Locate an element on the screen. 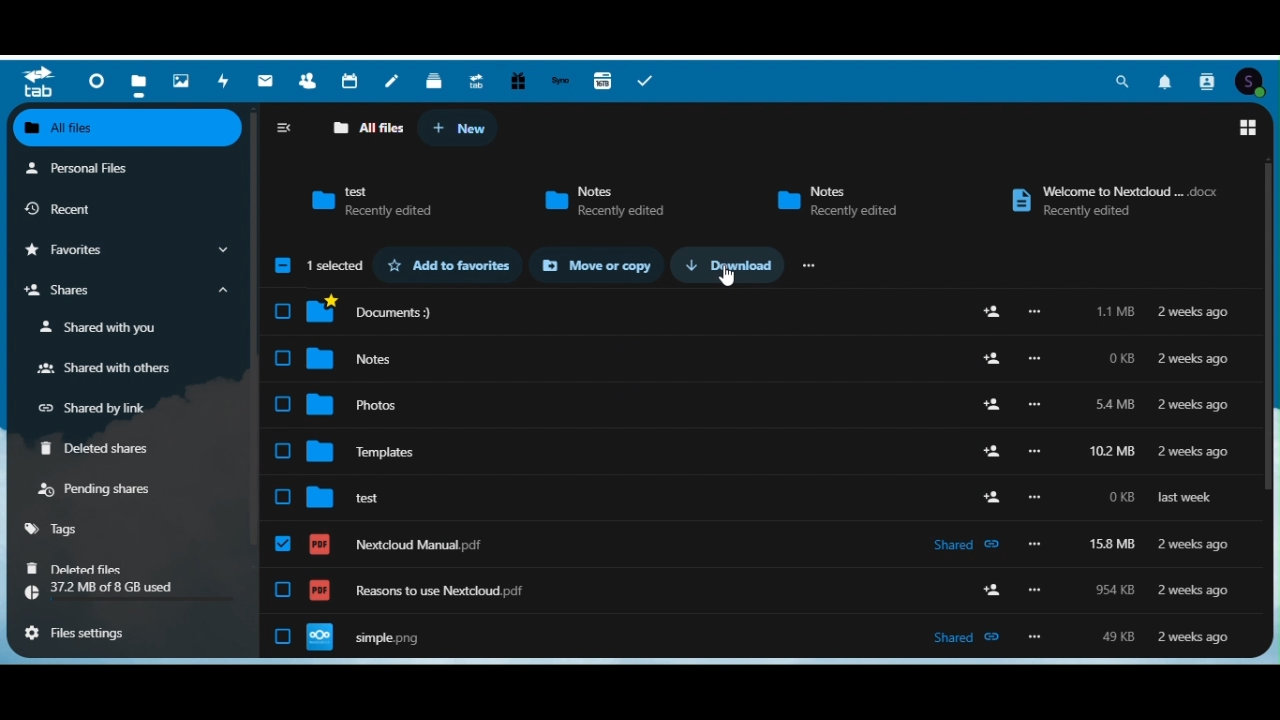 This screenshot has width=1280, height=720. Add to favourite is located at coordinates (451, 266).